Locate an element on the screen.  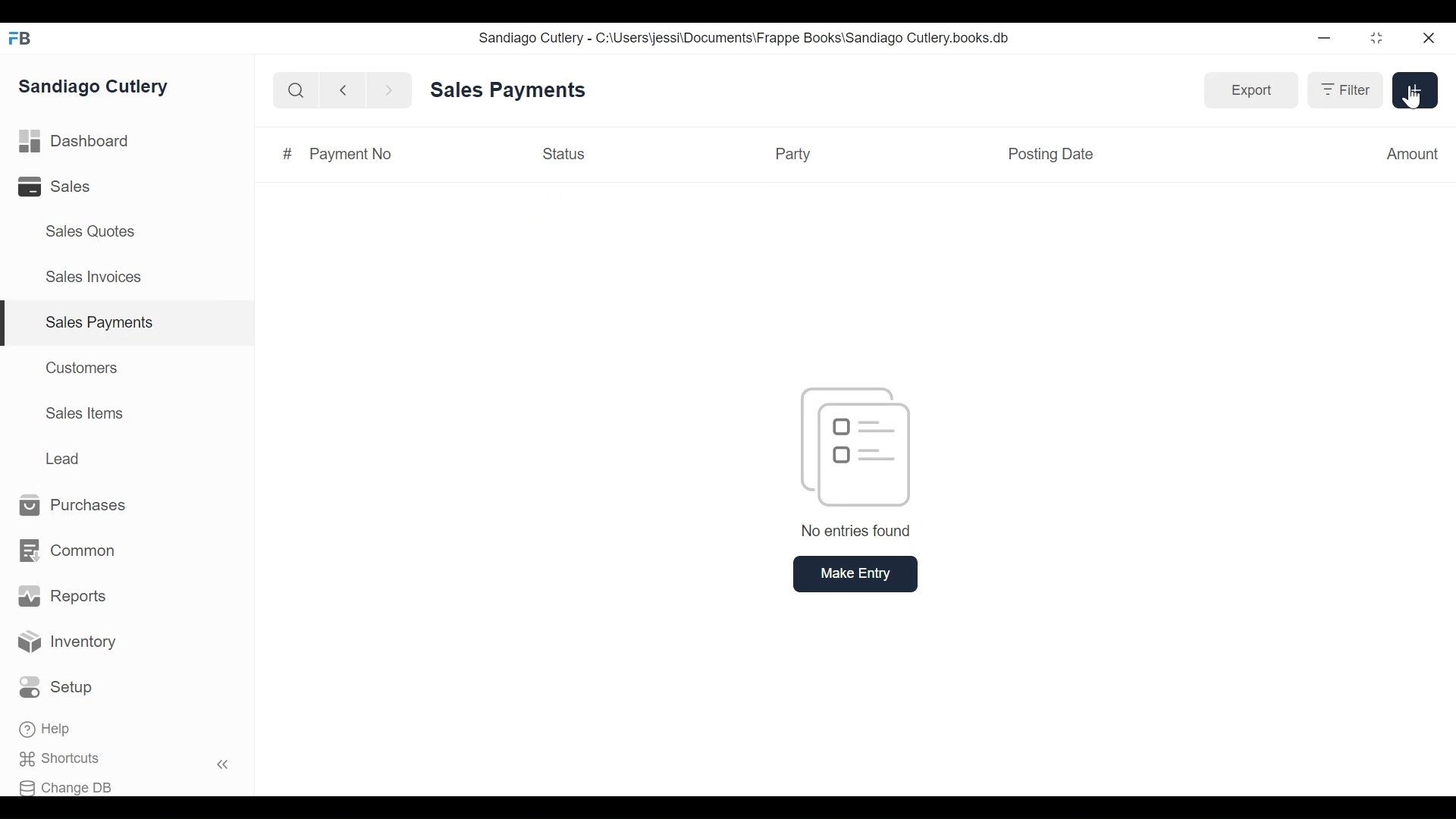
Dashboard is located at coordinates (74, 142).